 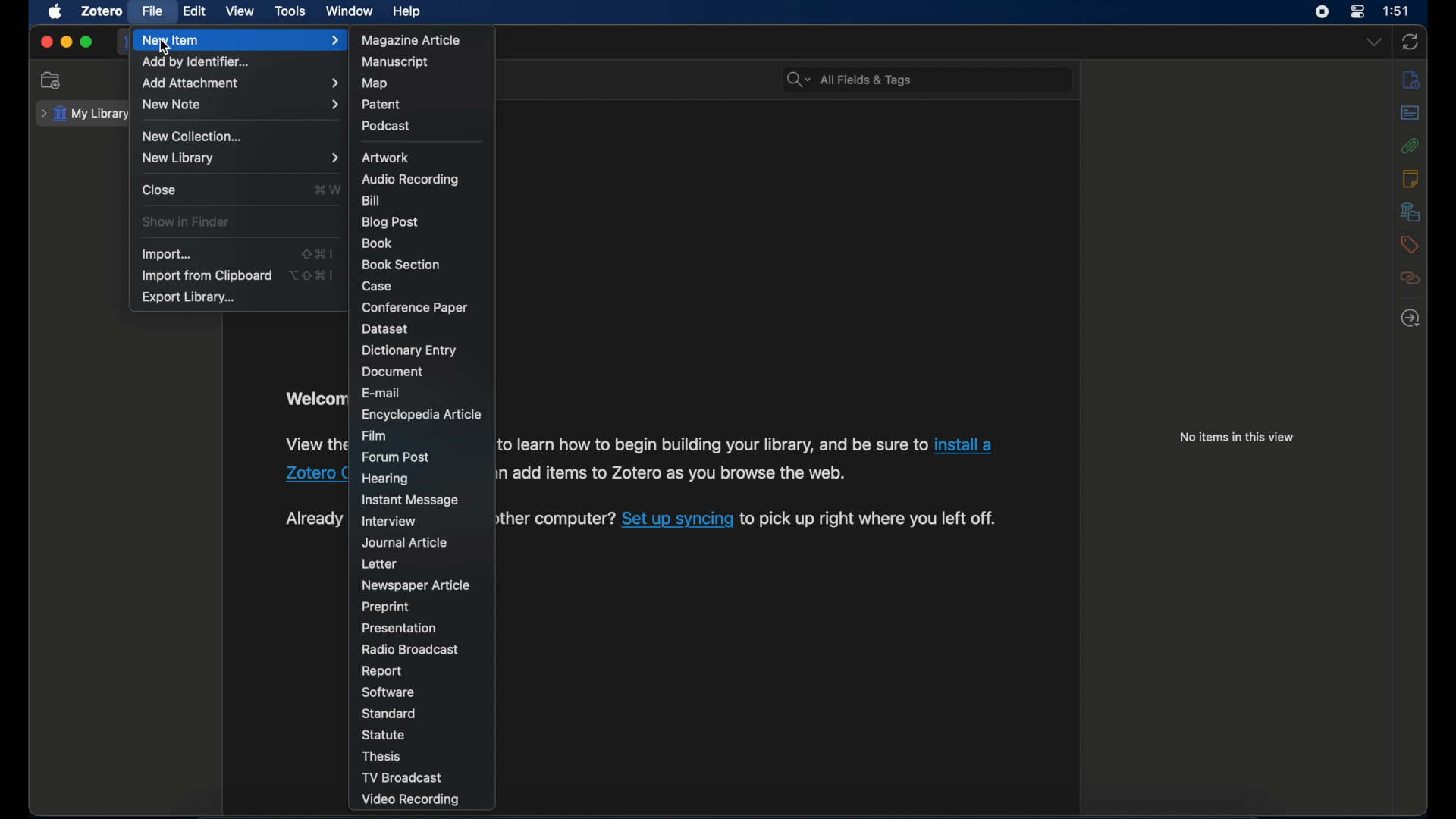 I want to click on encyclopedia article, so click(x=420, y=415).